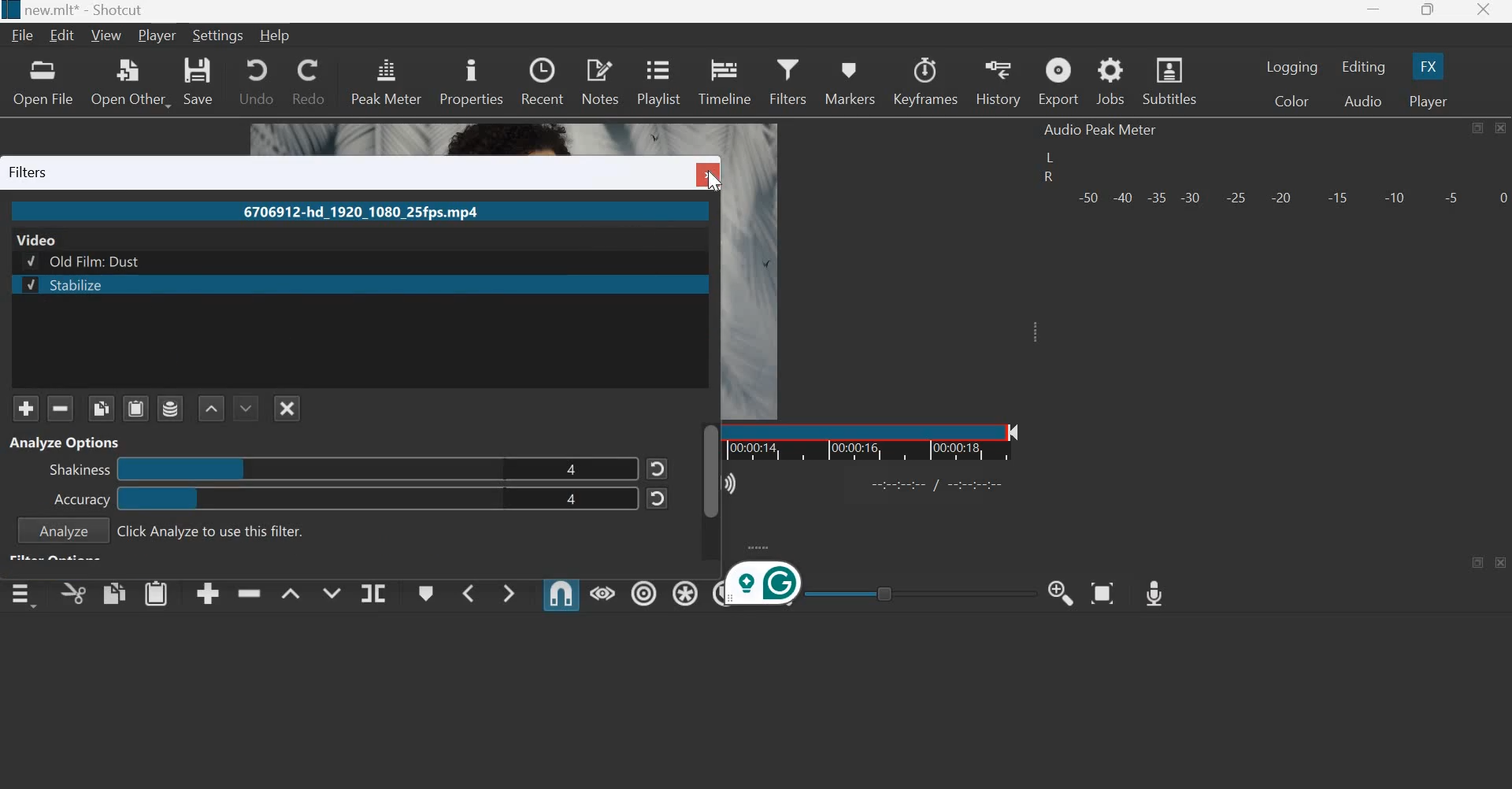 This screenshot has height=789, width=1512. What do you see at coordinates (1291, 198) in the screenshot?
I see `Volume meter` at bounding box center [1291, 198].